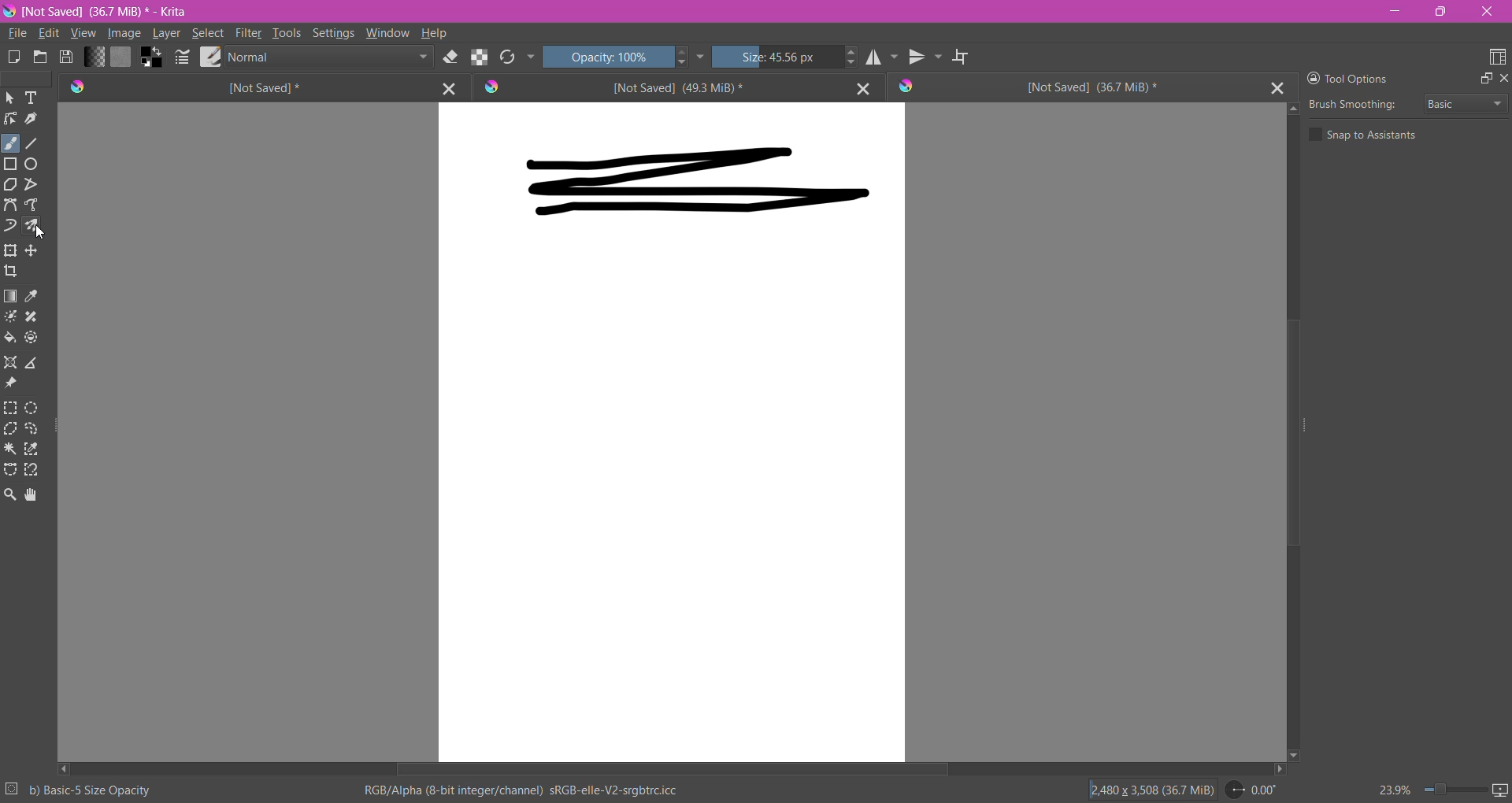 The image size is (1512, 803). Describe the element at coordinates (446, 87) in the screenshot. I see `Close Tab` at that location.